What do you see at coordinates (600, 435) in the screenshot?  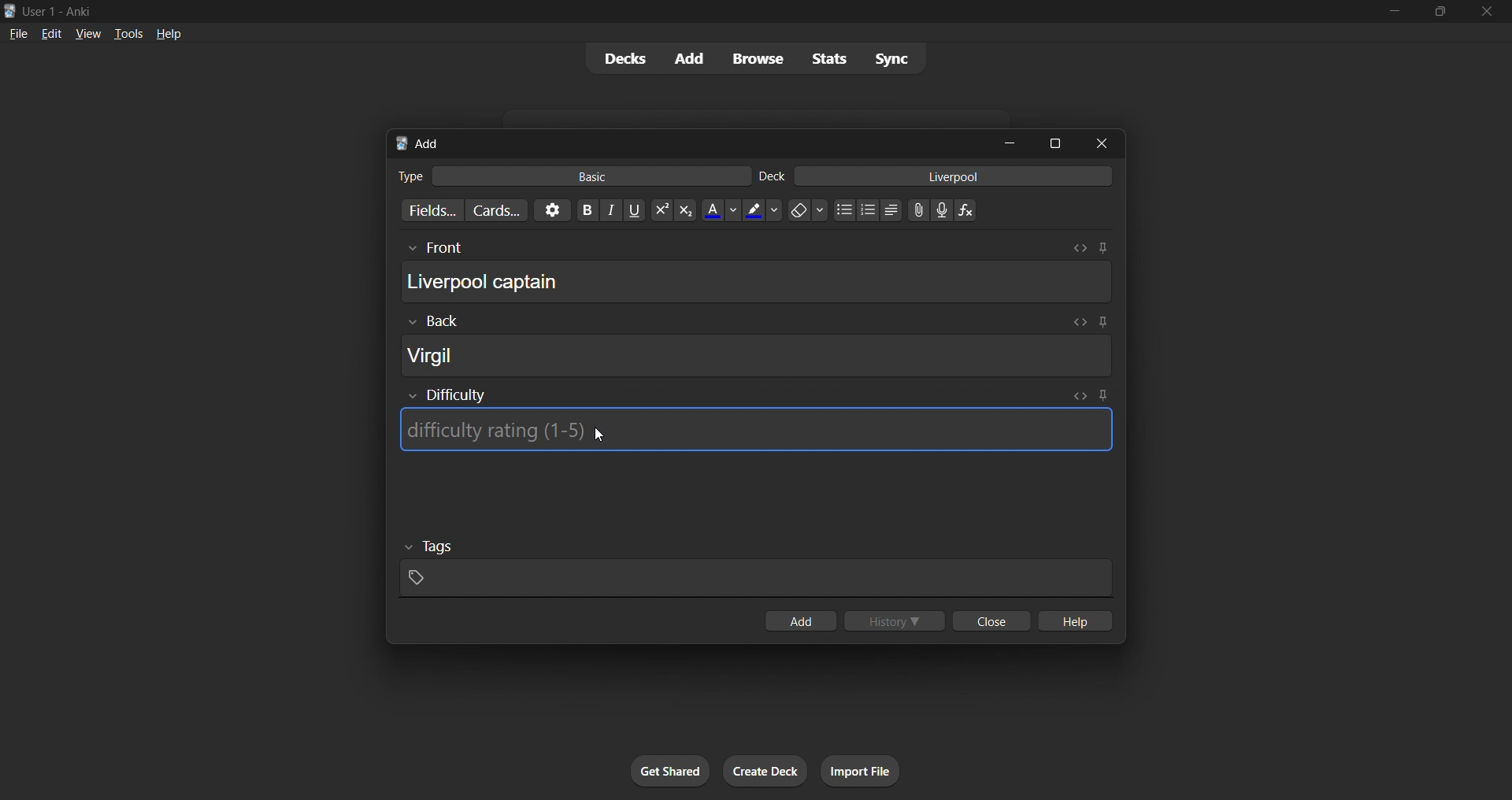 I see `Cursor` at bounding box center [600, 435].